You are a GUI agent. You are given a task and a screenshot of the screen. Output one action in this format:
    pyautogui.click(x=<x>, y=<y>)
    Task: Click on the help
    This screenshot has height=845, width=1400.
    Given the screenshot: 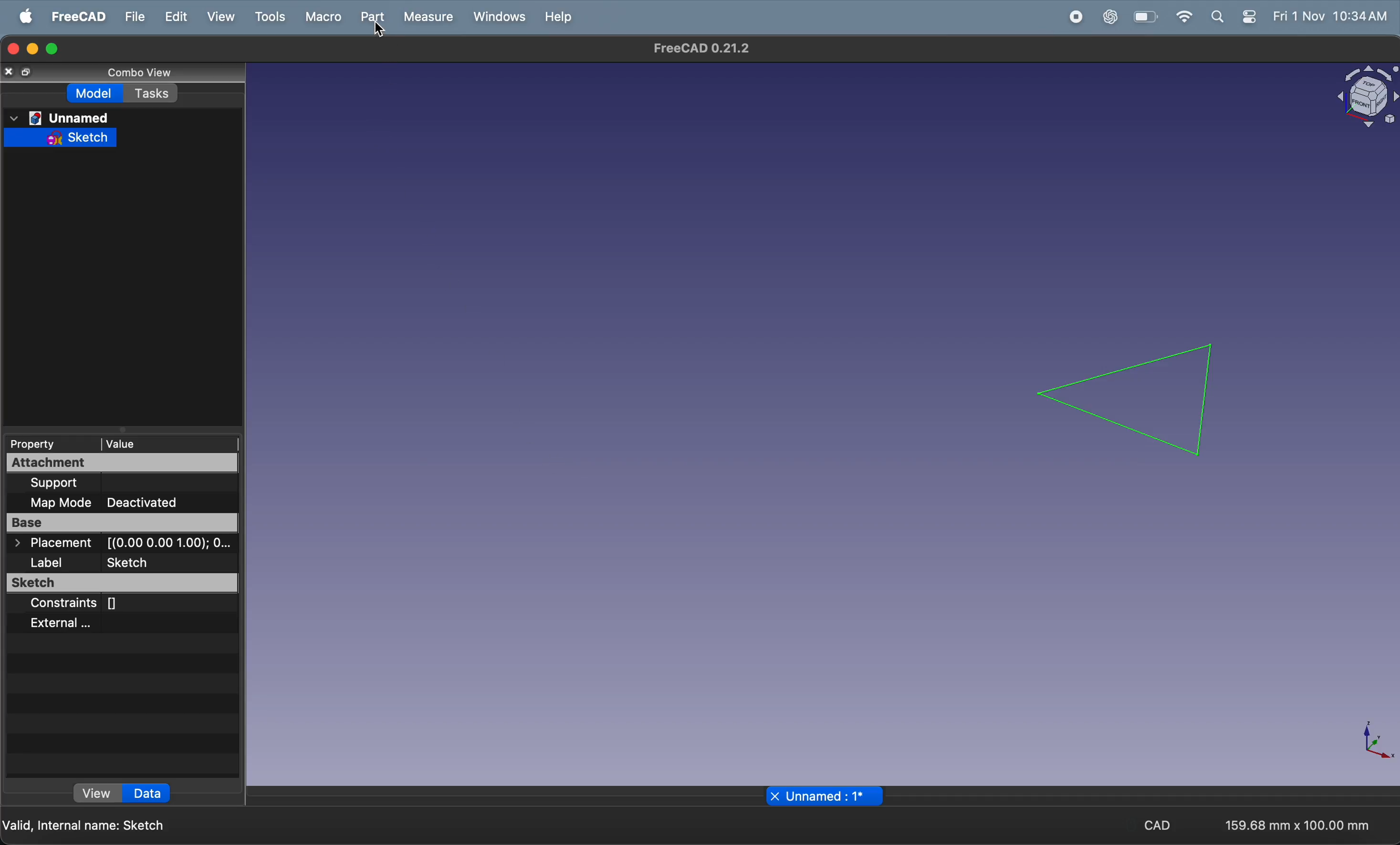 What is the action you would take?
    pyautogui.click(x=560, y=17)
    